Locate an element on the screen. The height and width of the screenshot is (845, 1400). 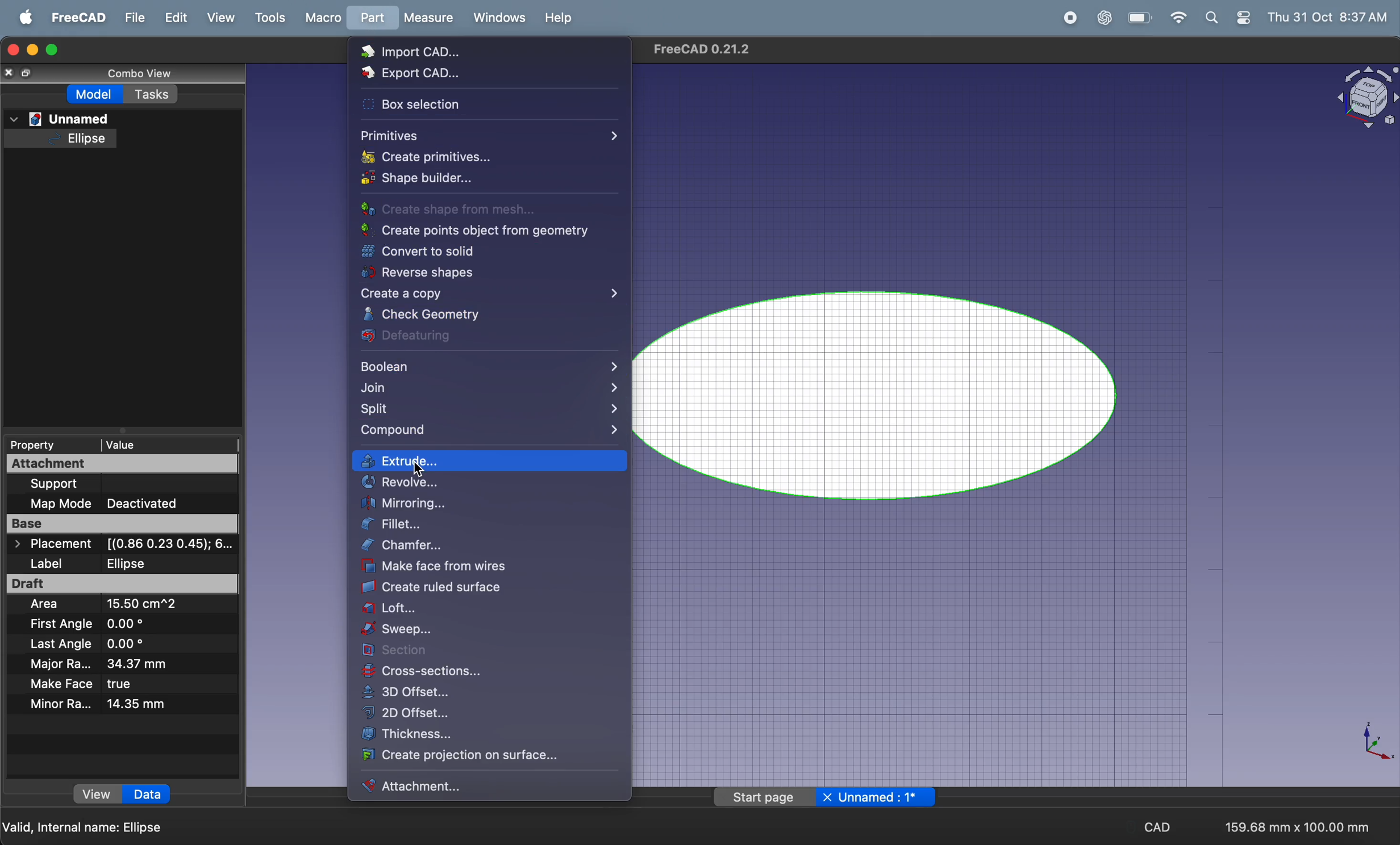
elipse is located at coordinates (74, 139).